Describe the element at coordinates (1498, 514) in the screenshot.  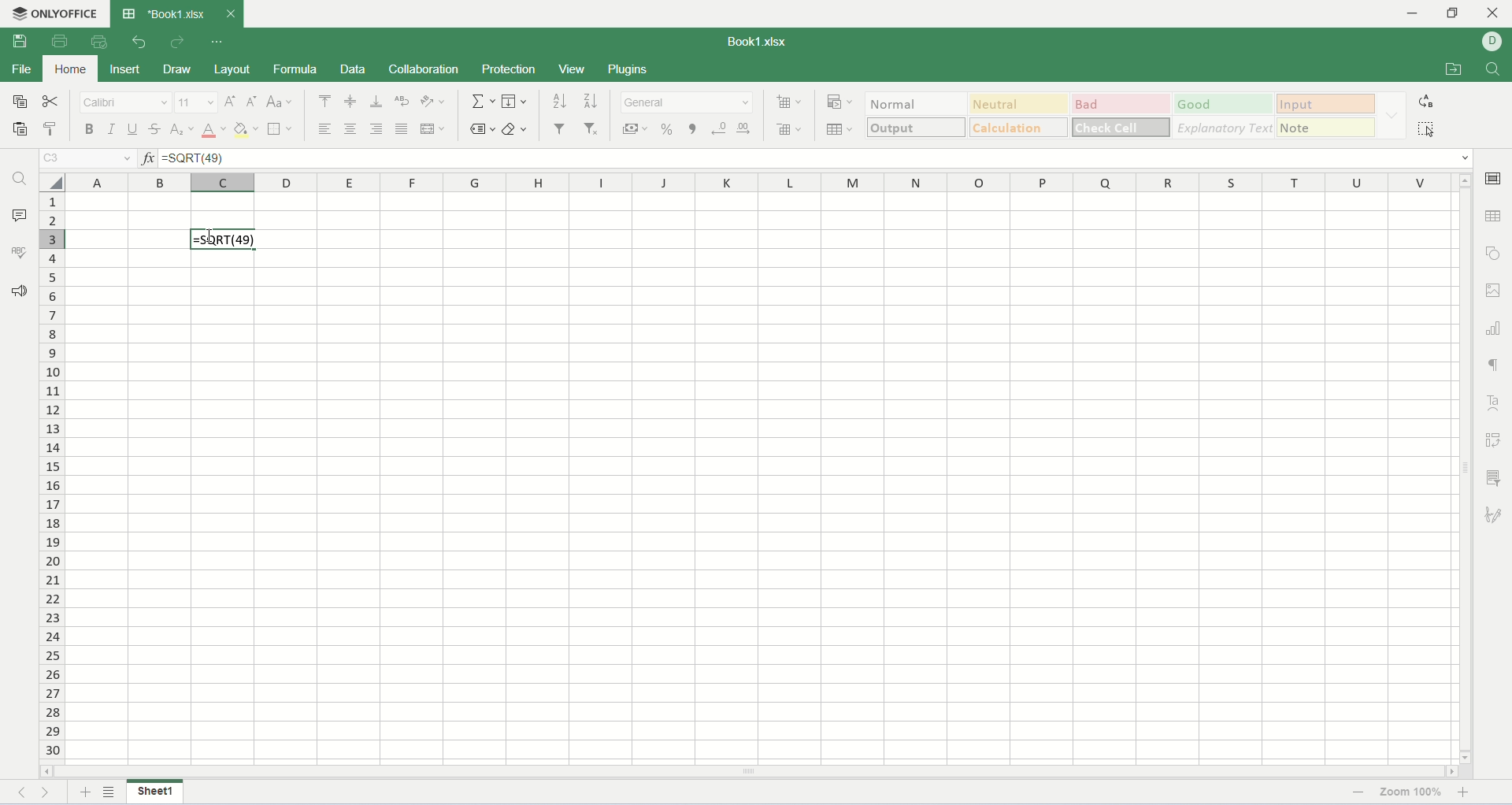
I see `signature settings` at that location.